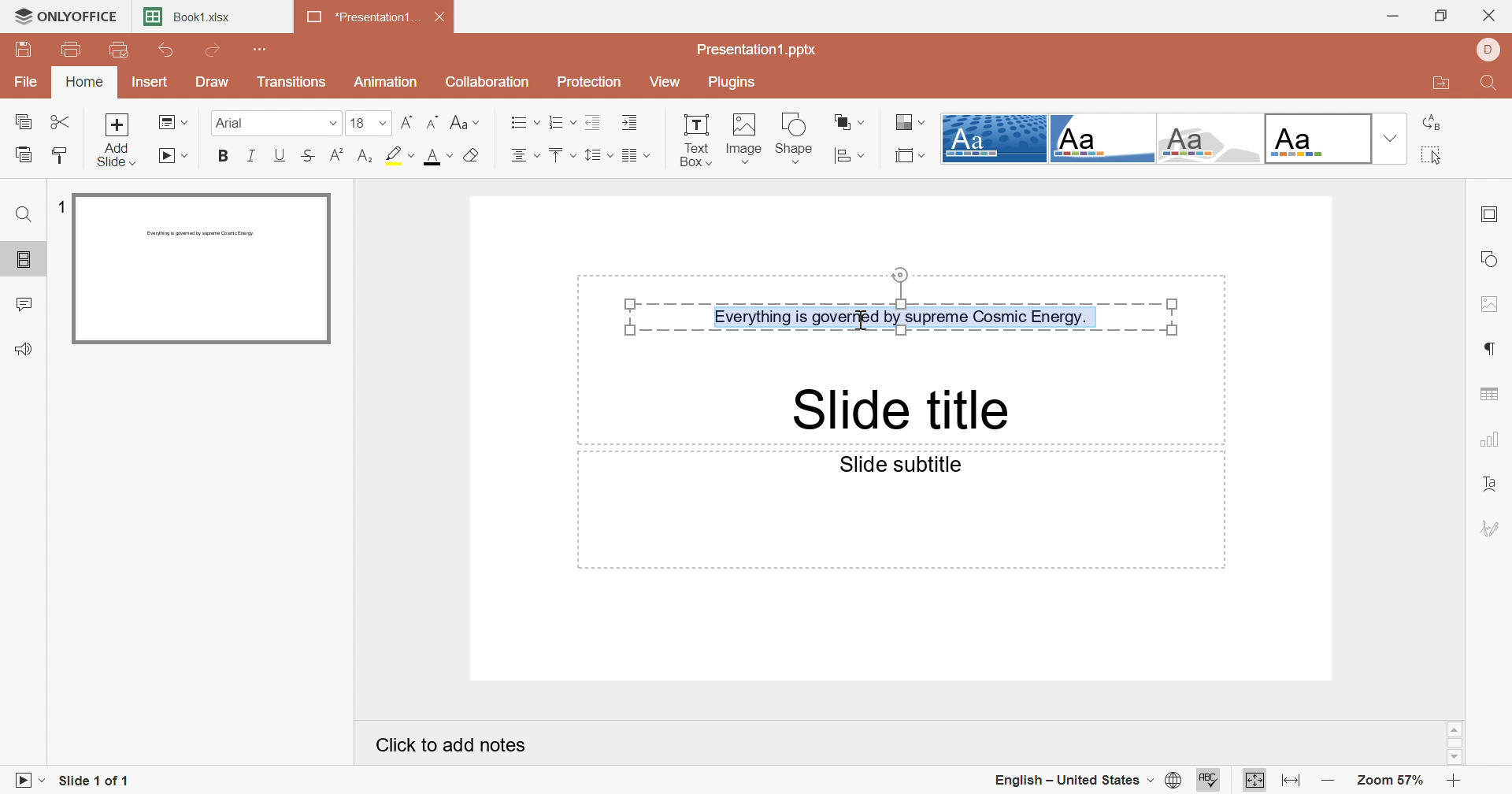  Describe the element at coordinates (406, 121) in the screenshot. I see `Increment font size` at that location.